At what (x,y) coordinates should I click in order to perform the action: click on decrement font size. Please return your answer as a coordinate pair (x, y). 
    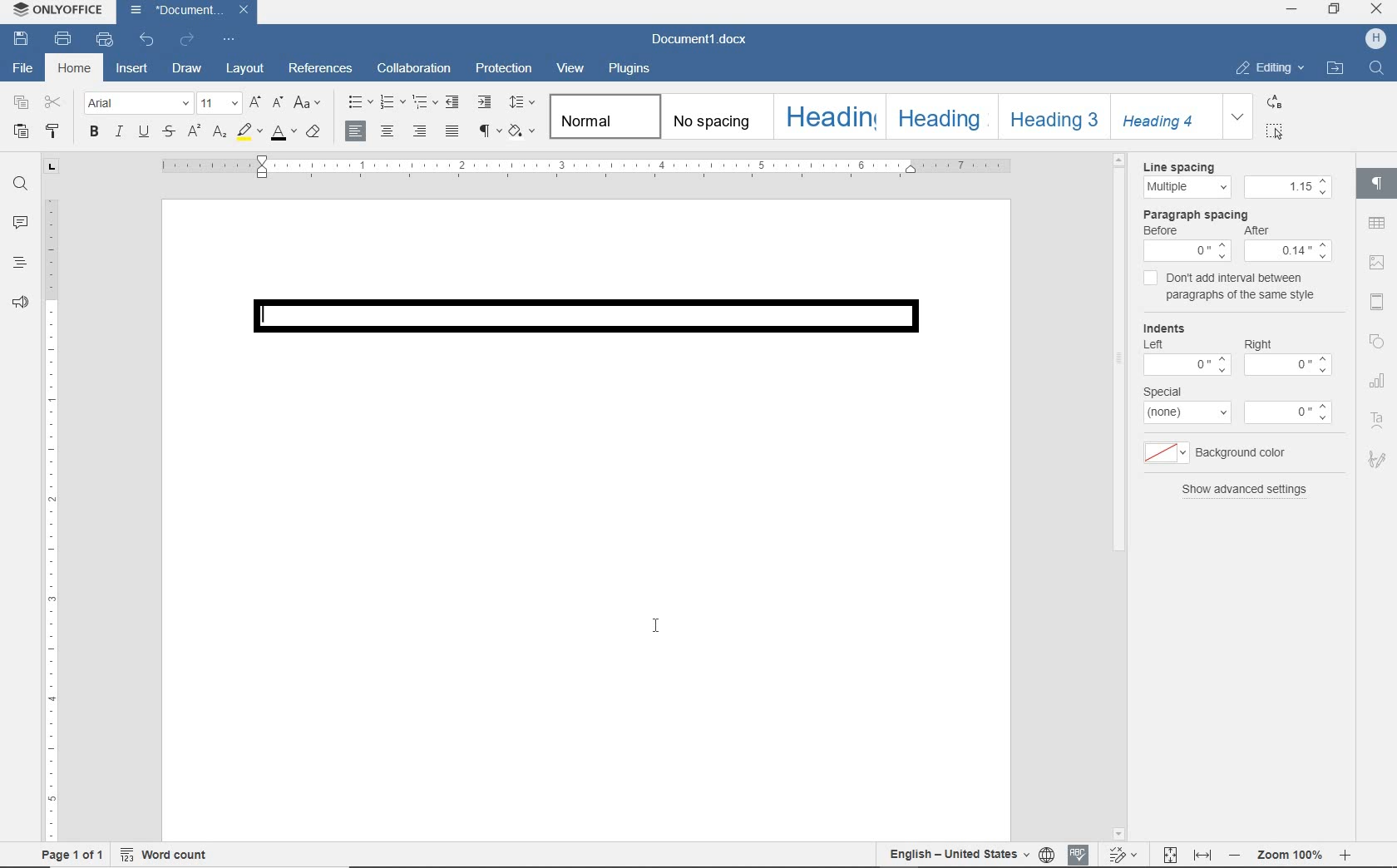
    Looking at the image, I should click on (277, 102).